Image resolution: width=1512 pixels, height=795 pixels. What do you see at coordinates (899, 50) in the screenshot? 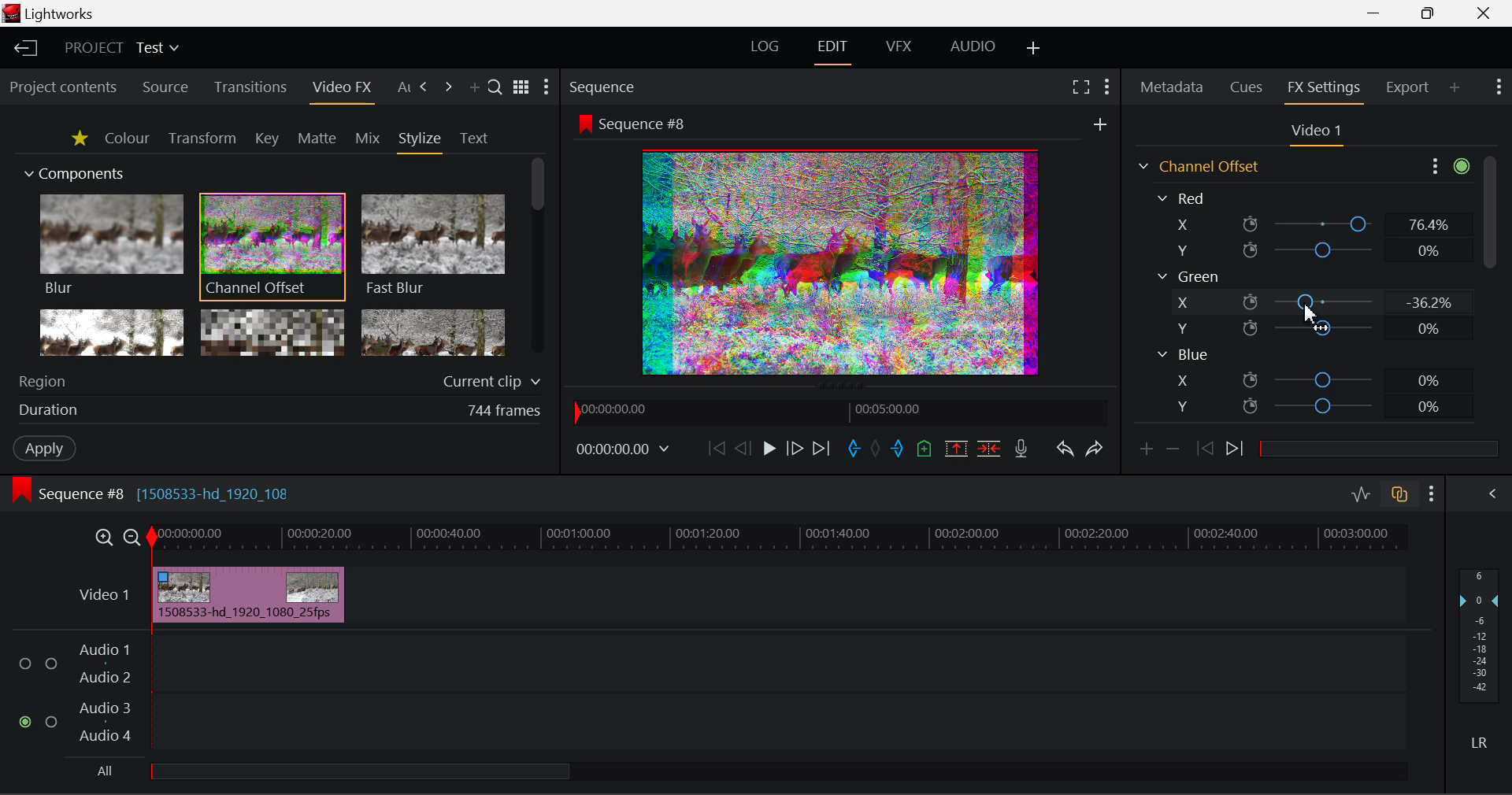
I see `VFX Layout` at bounding box center [899, 50].